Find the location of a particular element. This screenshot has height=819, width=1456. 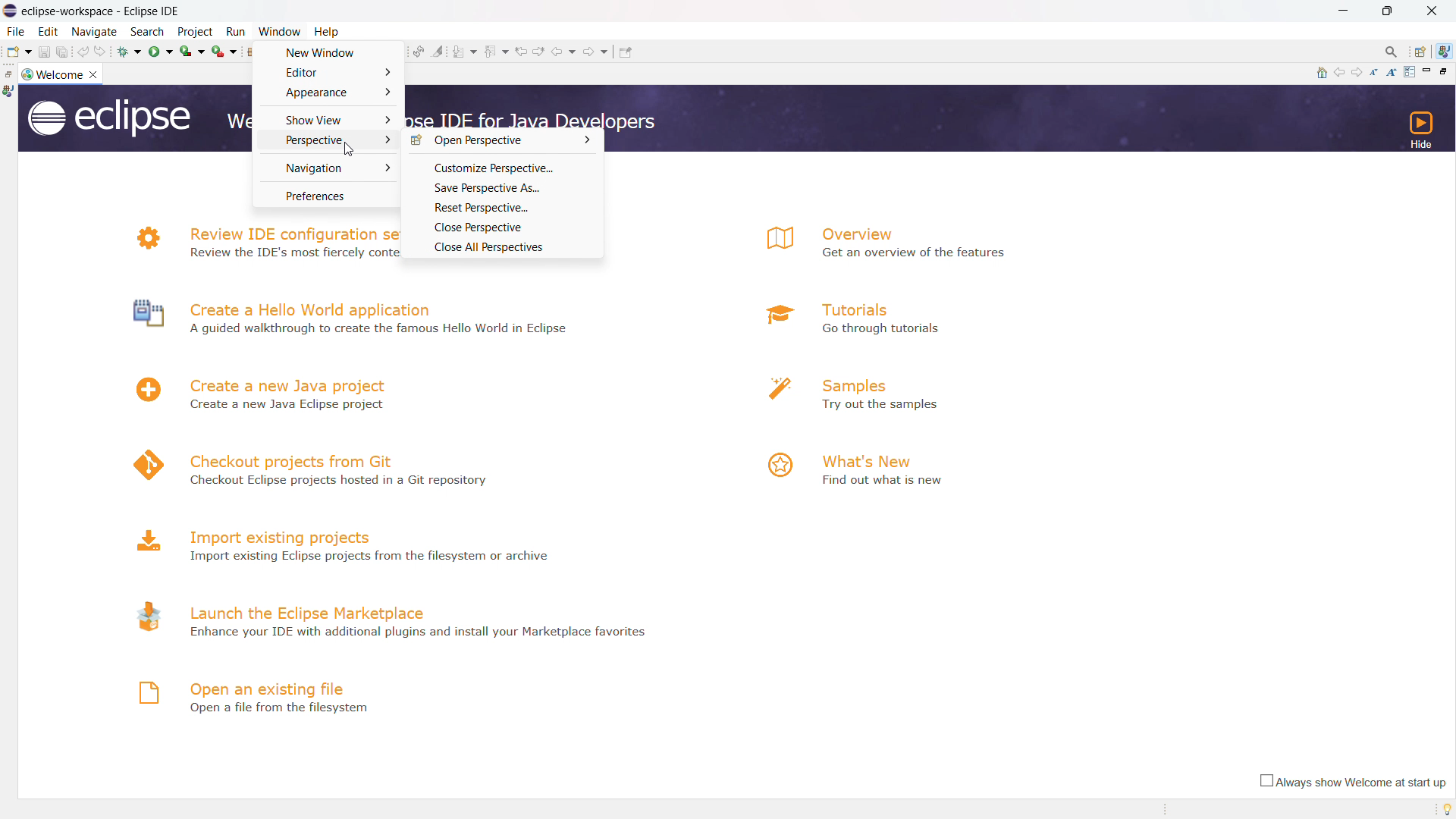

logo is located at coordinates (140, 390).